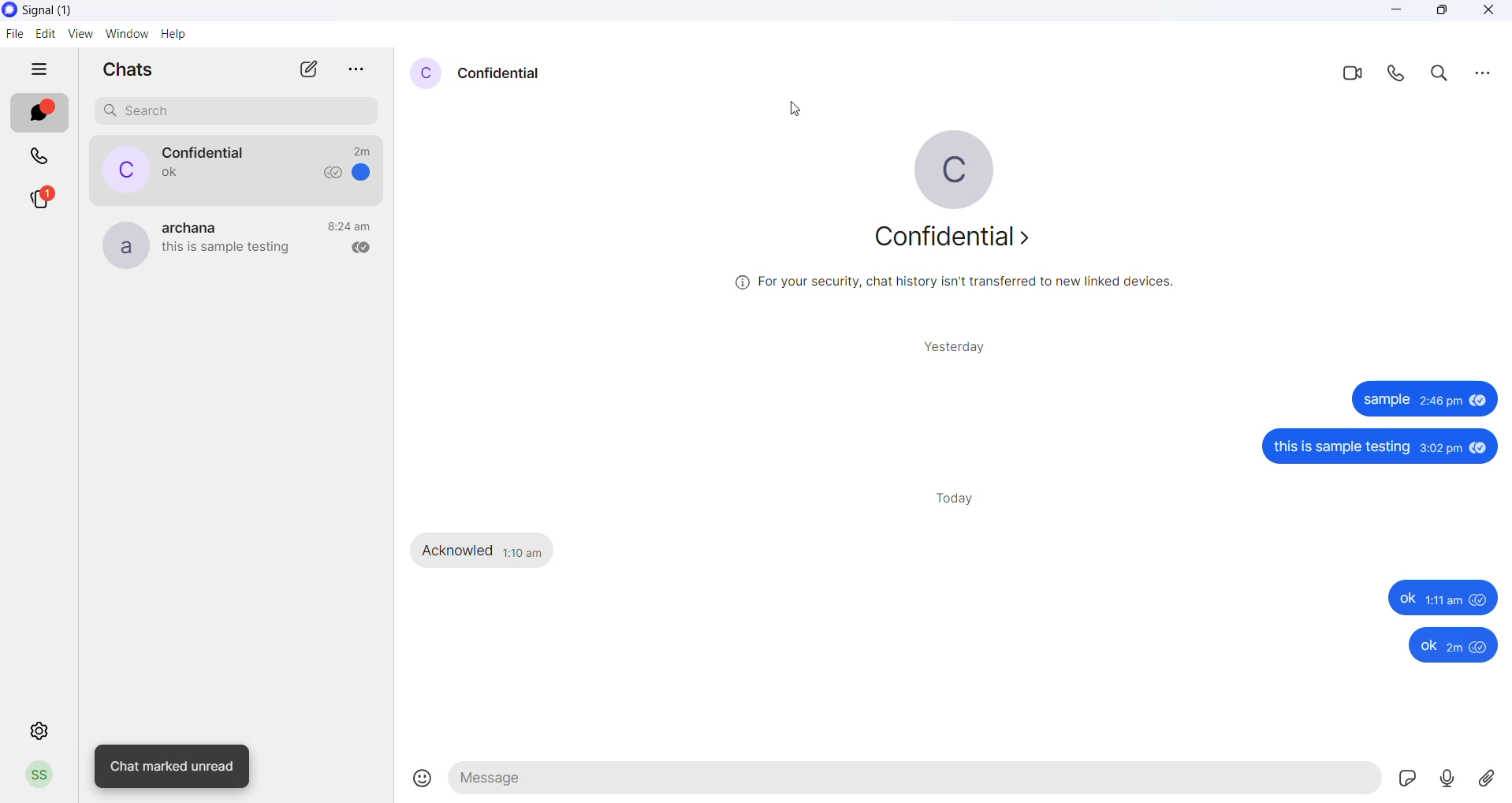  I want to click on read recipient , so click(330, 175).